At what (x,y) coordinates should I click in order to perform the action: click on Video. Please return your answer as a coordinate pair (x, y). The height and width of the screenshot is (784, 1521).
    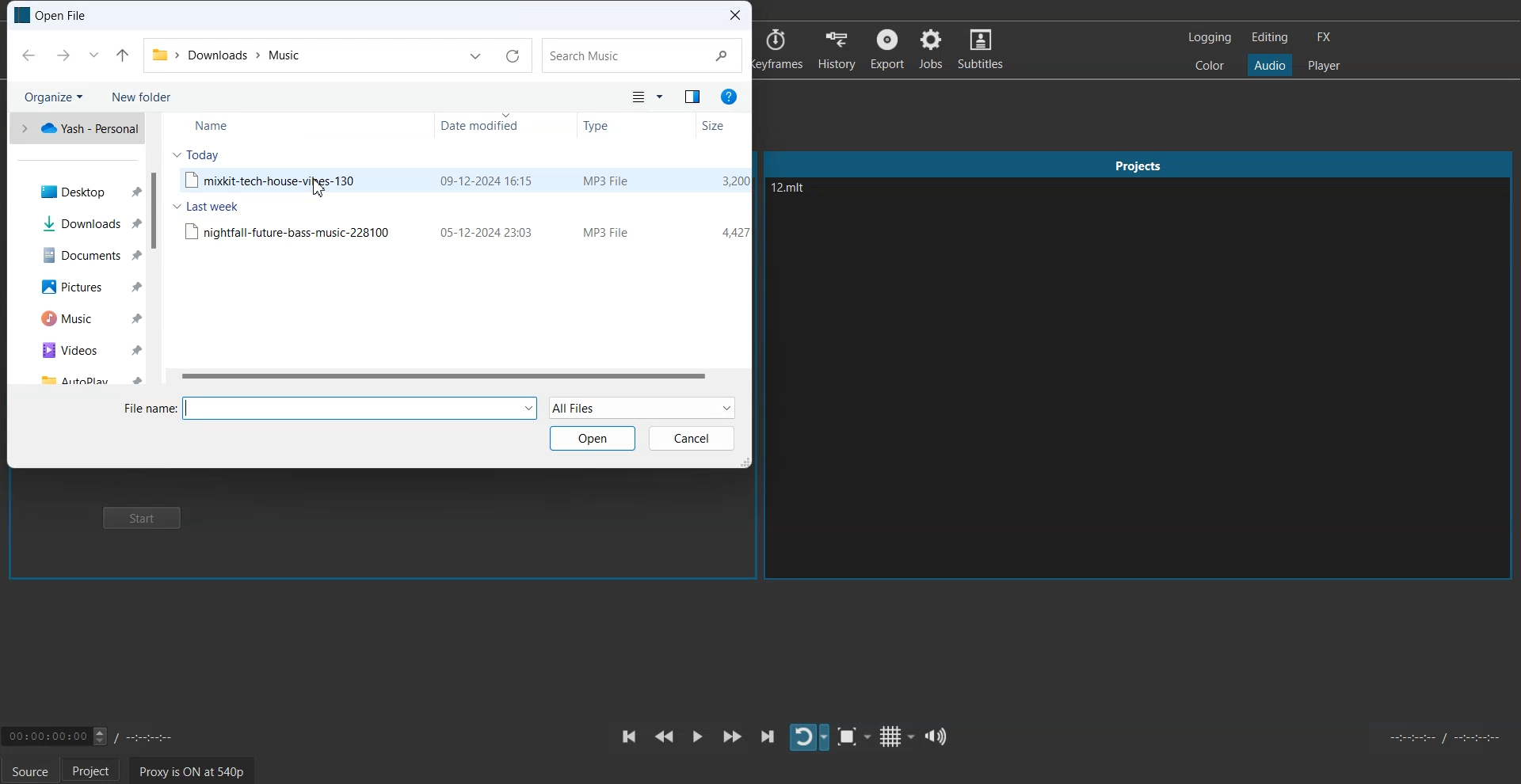
    Looking at the image, I should click on (76, 351).